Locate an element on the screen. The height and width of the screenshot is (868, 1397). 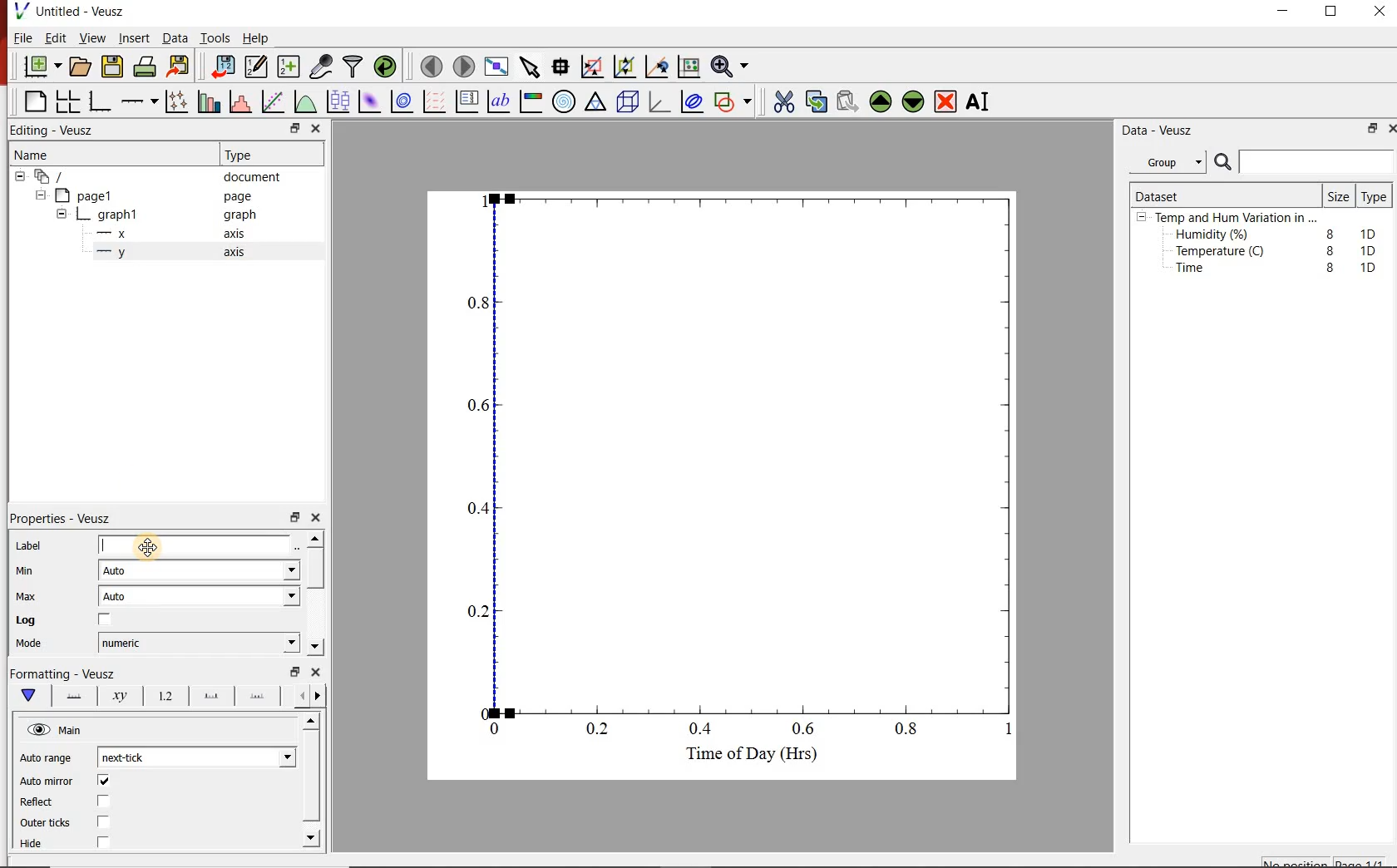
Auto is located at coordinates (123, 571).